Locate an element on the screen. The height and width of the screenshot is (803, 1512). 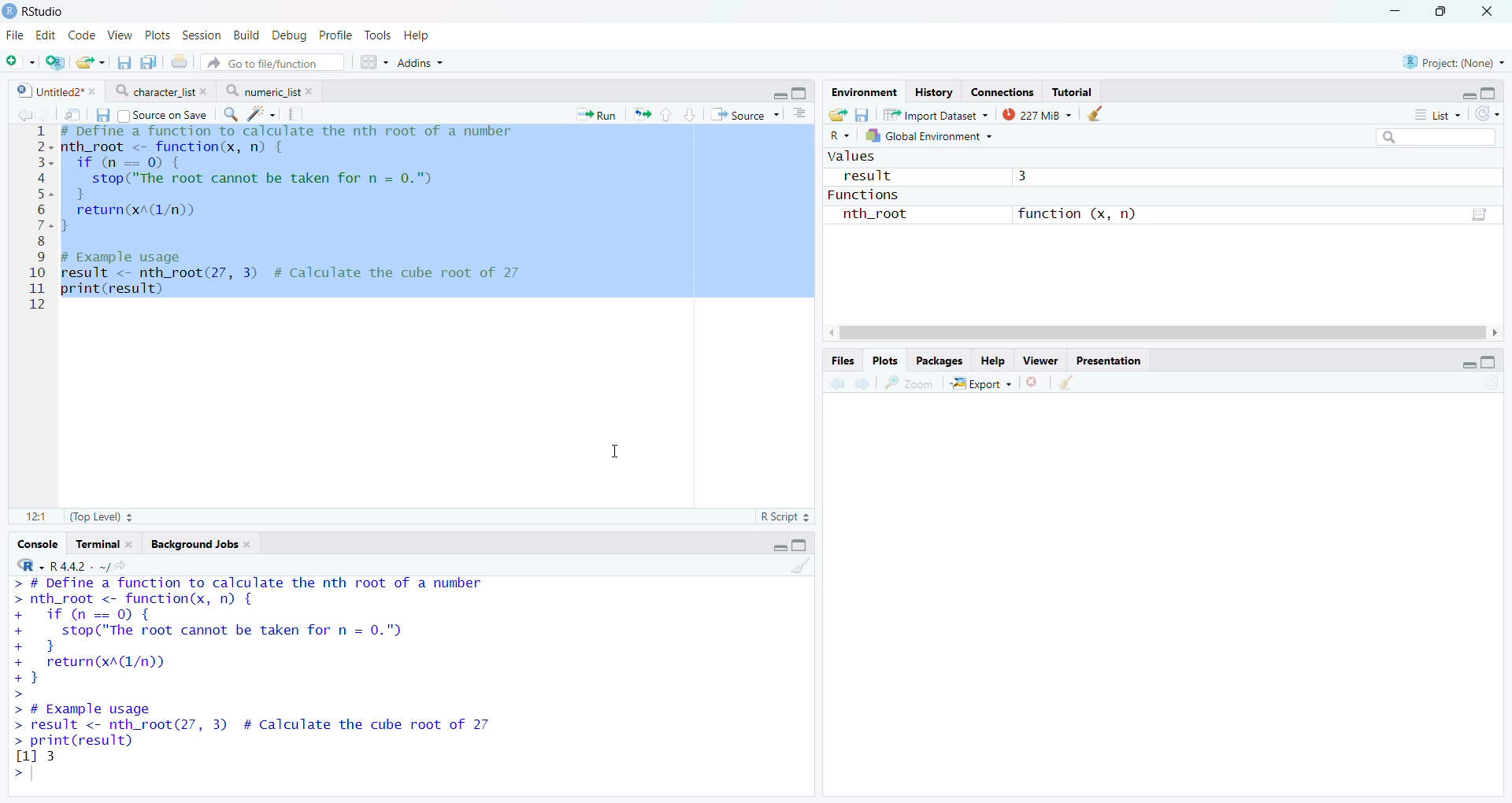
Console is located at coordinates (35, 543).